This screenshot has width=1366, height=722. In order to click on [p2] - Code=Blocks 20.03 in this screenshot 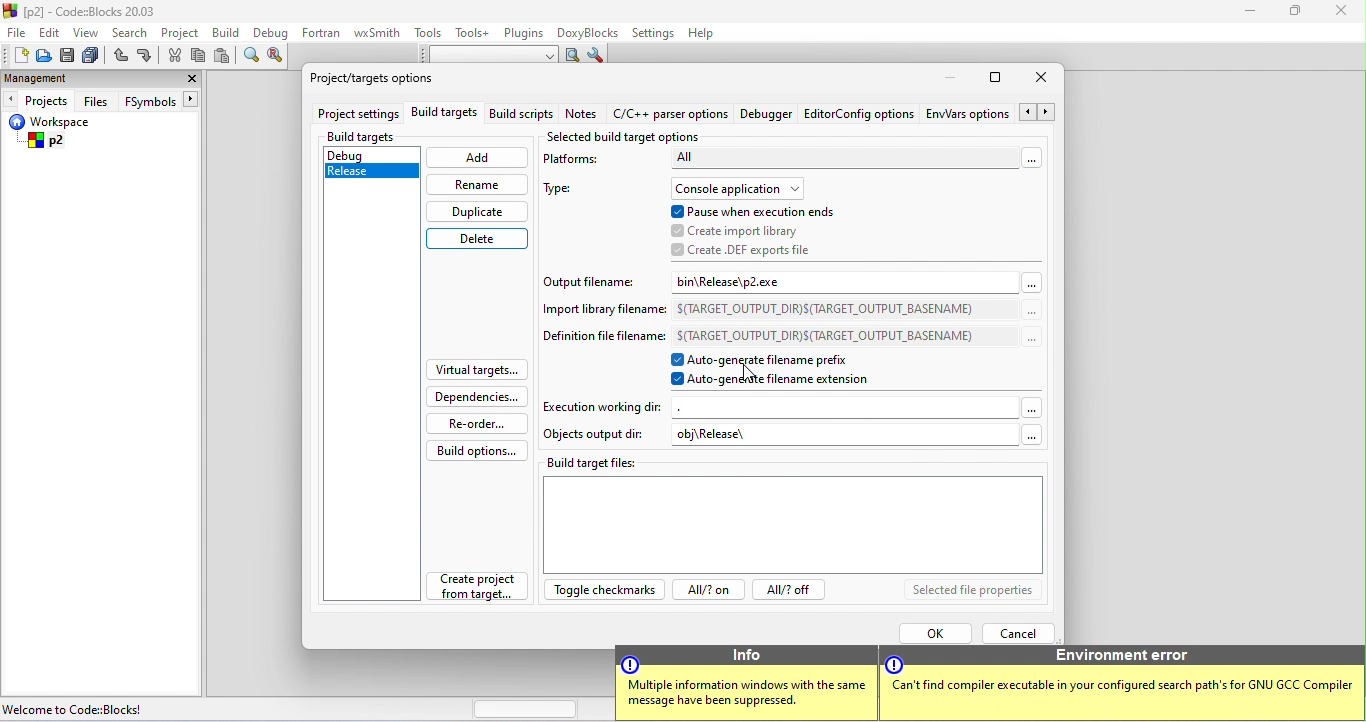, I will do `click(88, 12)`.